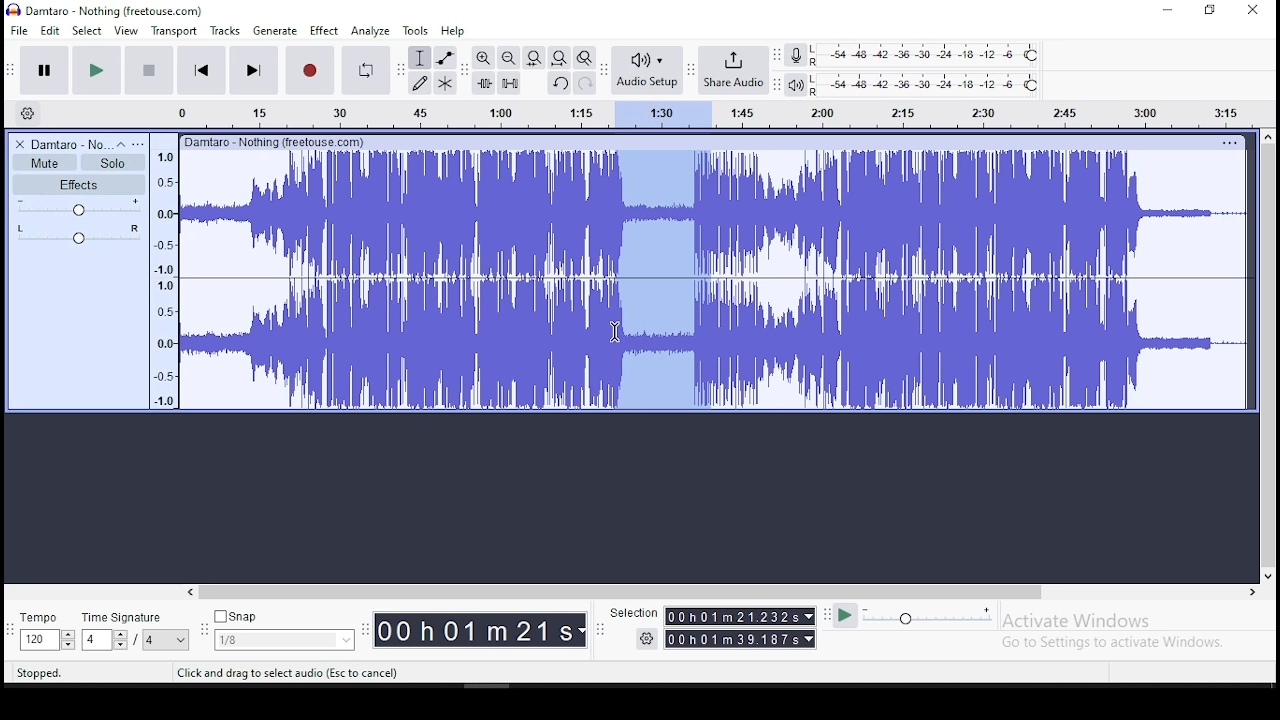  I want to click on , so click(366, 628).